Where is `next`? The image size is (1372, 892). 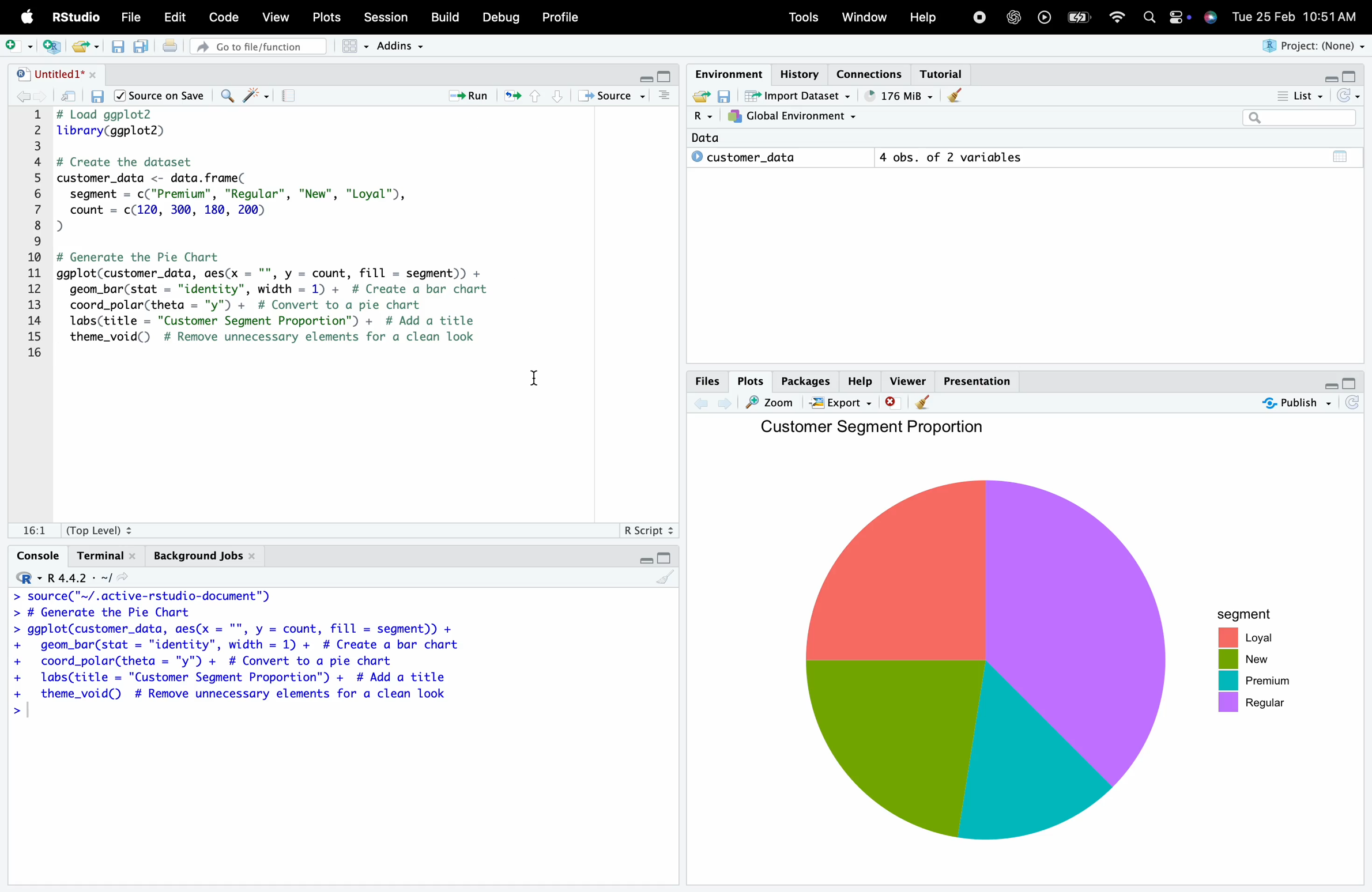
next is located at coordinates (729, 407).